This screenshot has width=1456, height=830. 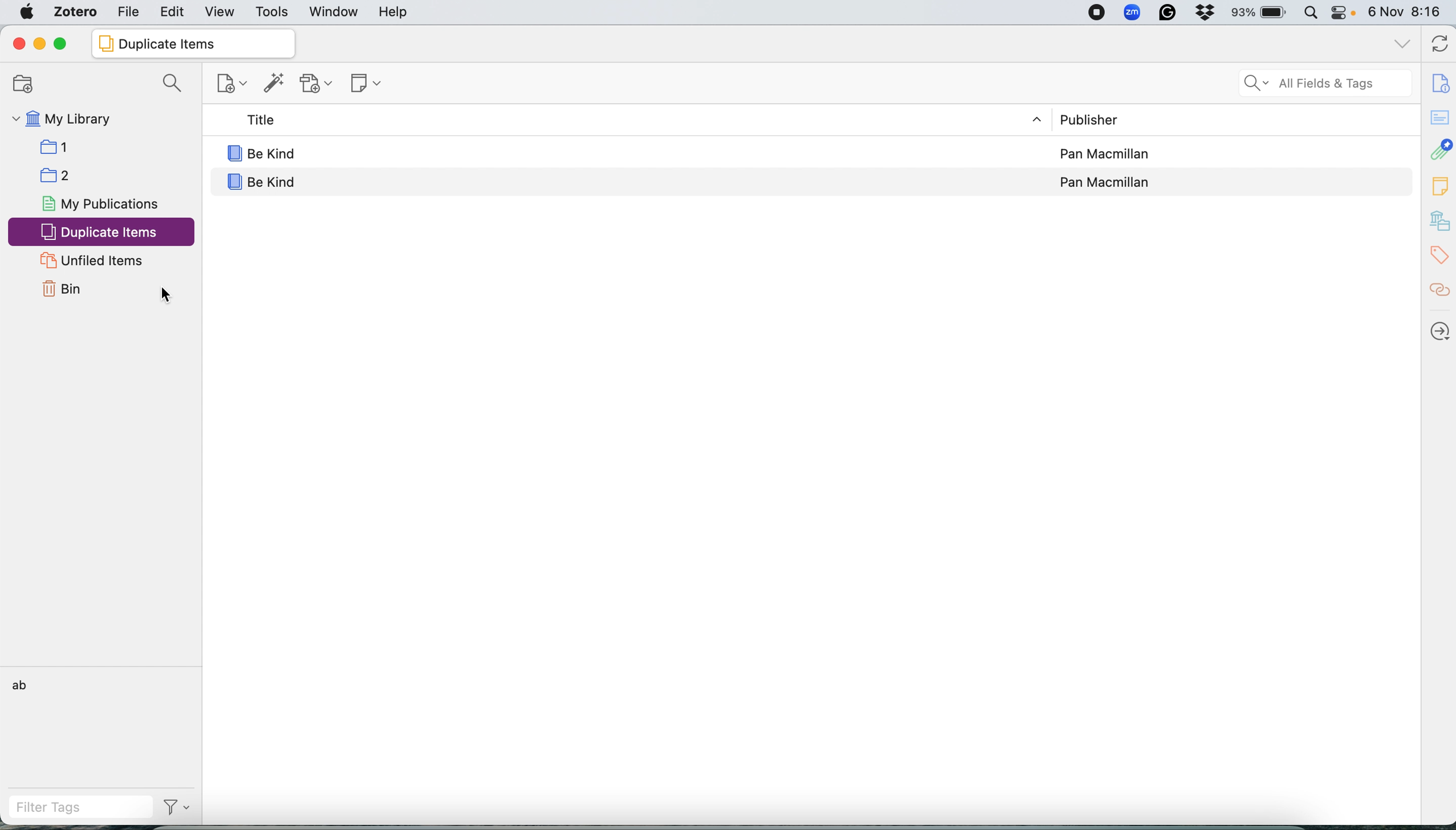 I want to click on File 2, so click(x=109, y=175).